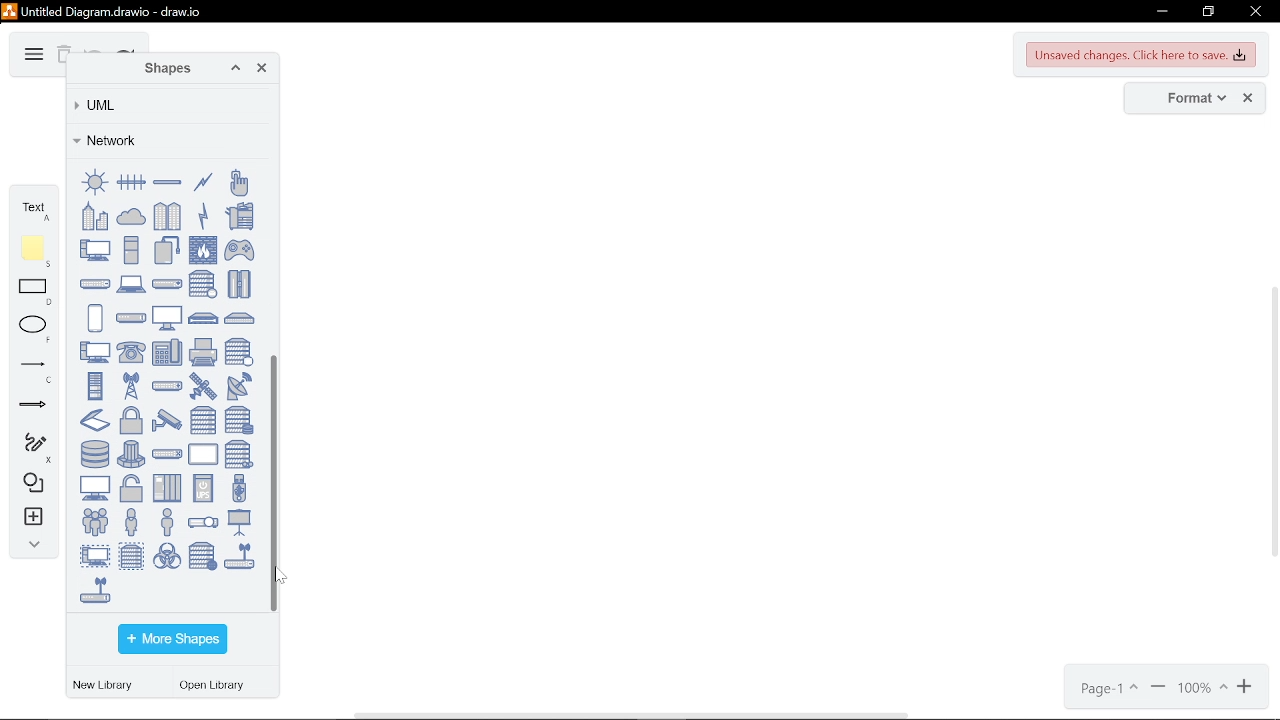 This screenshot has height=720, width=1280. What do you see at coordinates (131, 249) in the screenshot?
I see `desktop PC` at bounding box center [131, 249].